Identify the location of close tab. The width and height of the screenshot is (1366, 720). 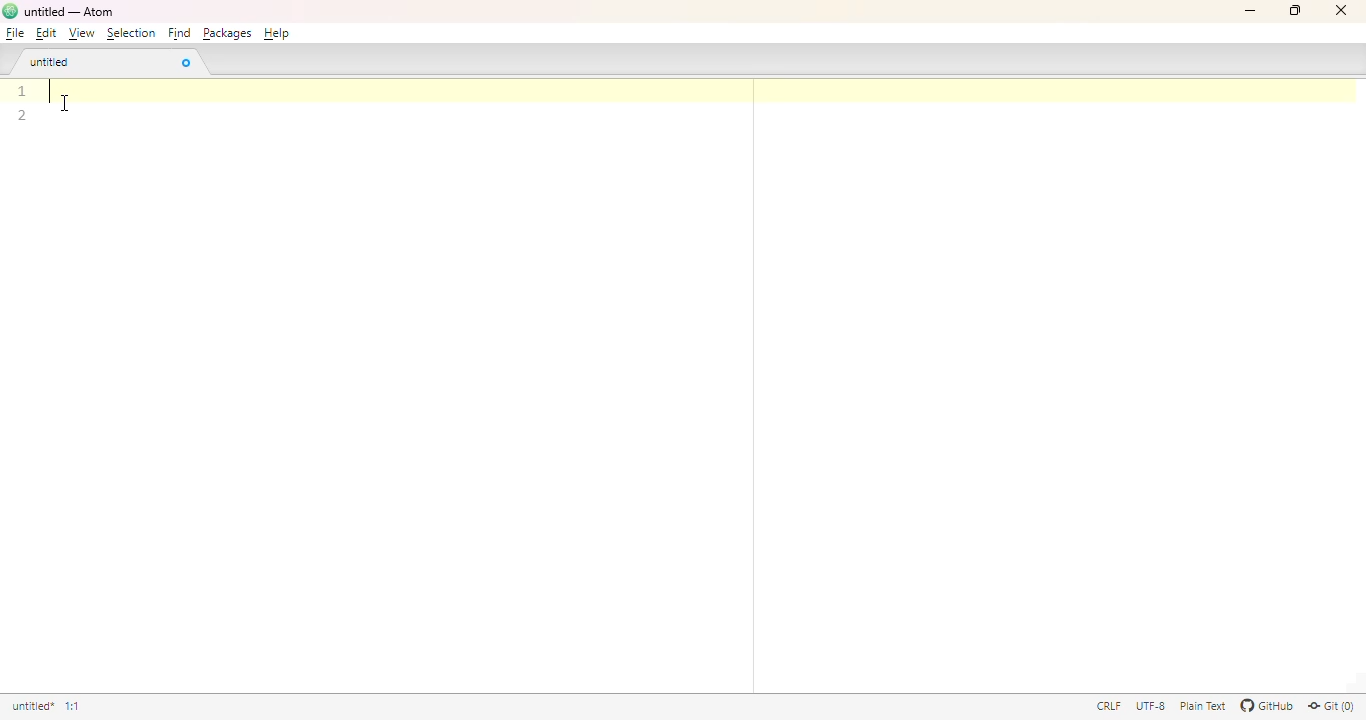
(185, 63).